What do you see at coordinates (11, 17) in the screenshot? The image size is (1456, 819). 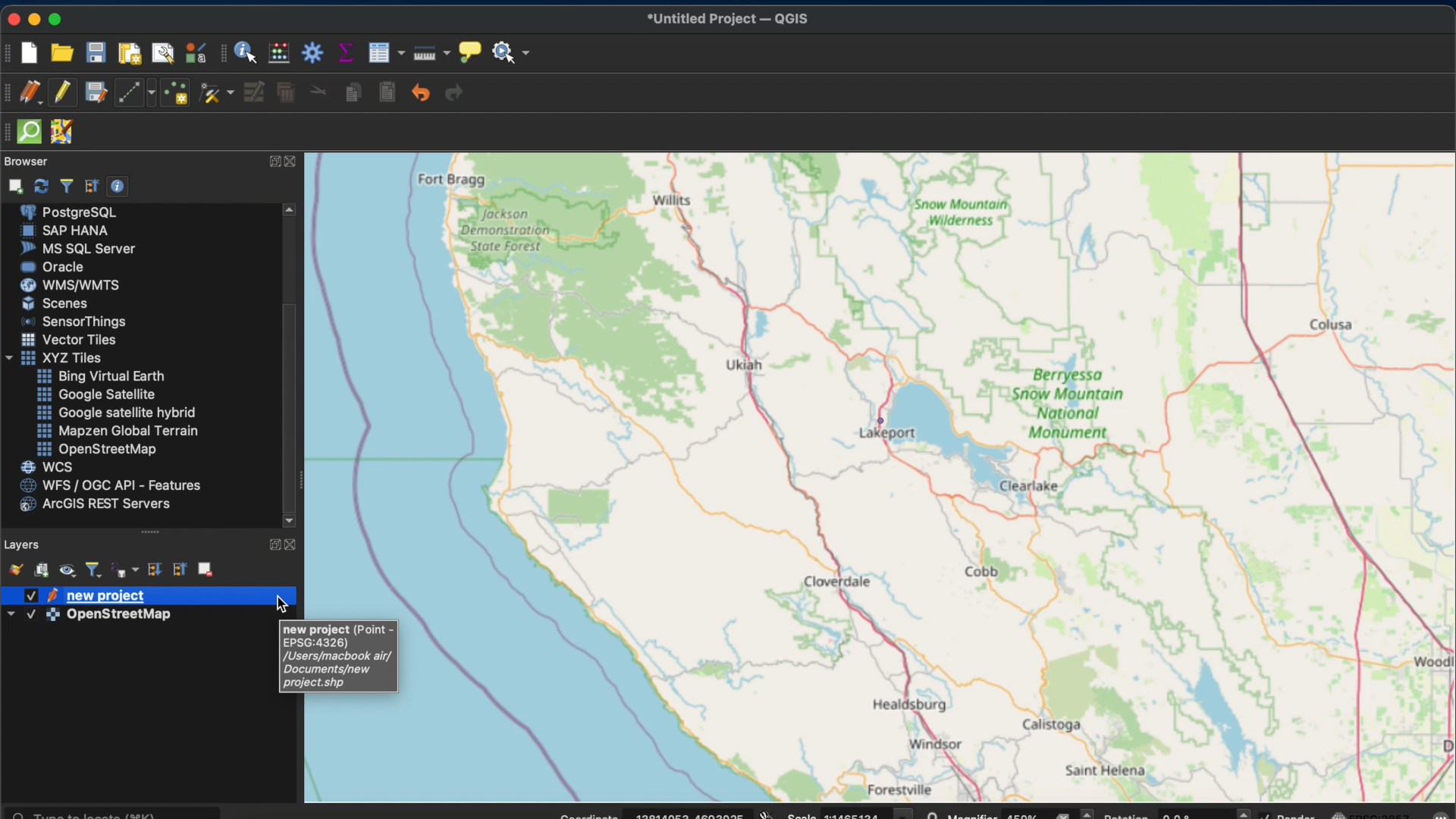 I see `close` at bounding box center [11, 17].